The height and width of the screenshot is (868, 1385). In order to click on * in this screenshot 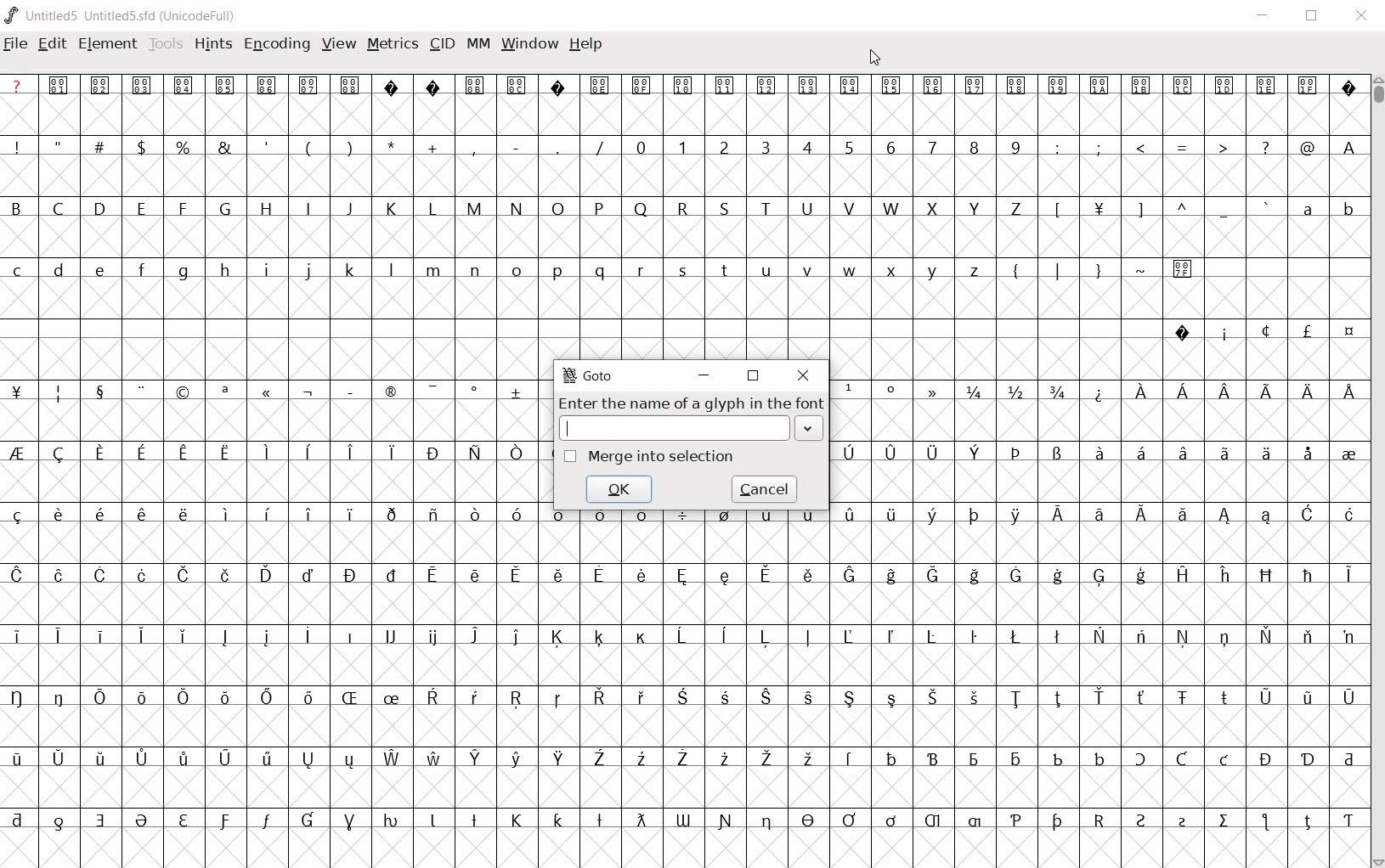, I will do `click(393, 145)`.